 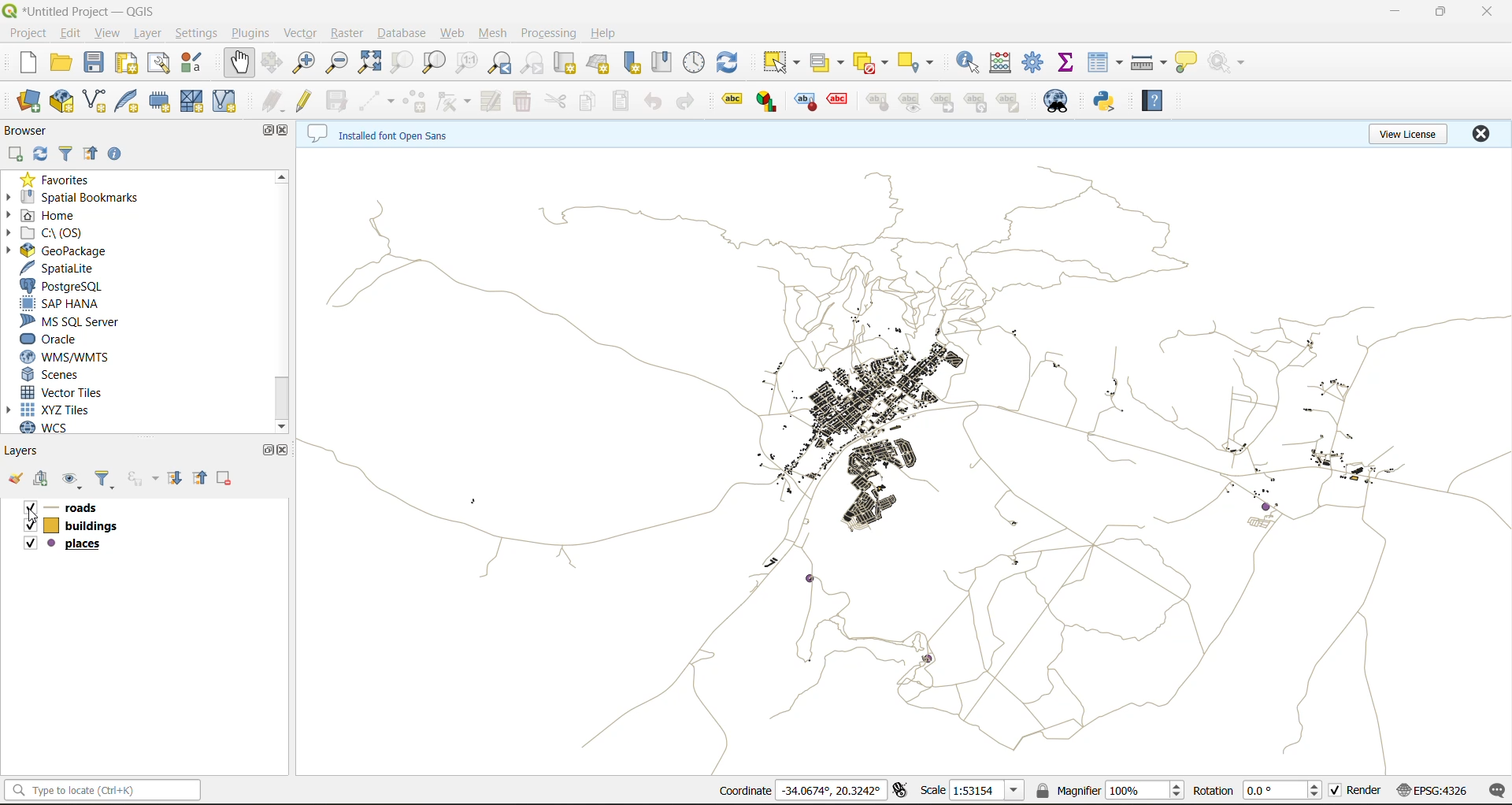 I want to click on virtual layer, so click(x=224, y=101).